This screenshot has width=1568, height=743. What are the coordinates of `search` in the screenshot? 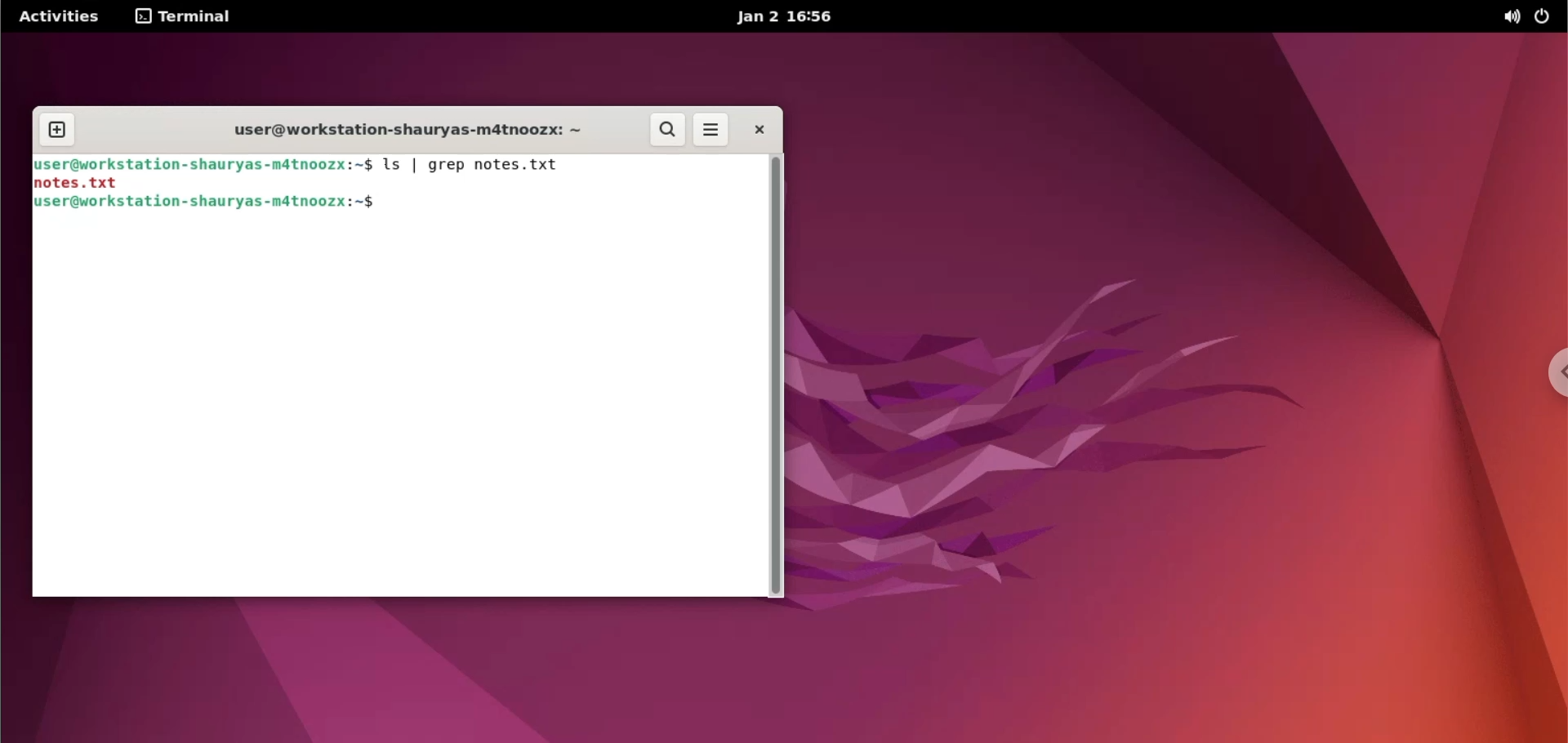 It's located at (664, 129).